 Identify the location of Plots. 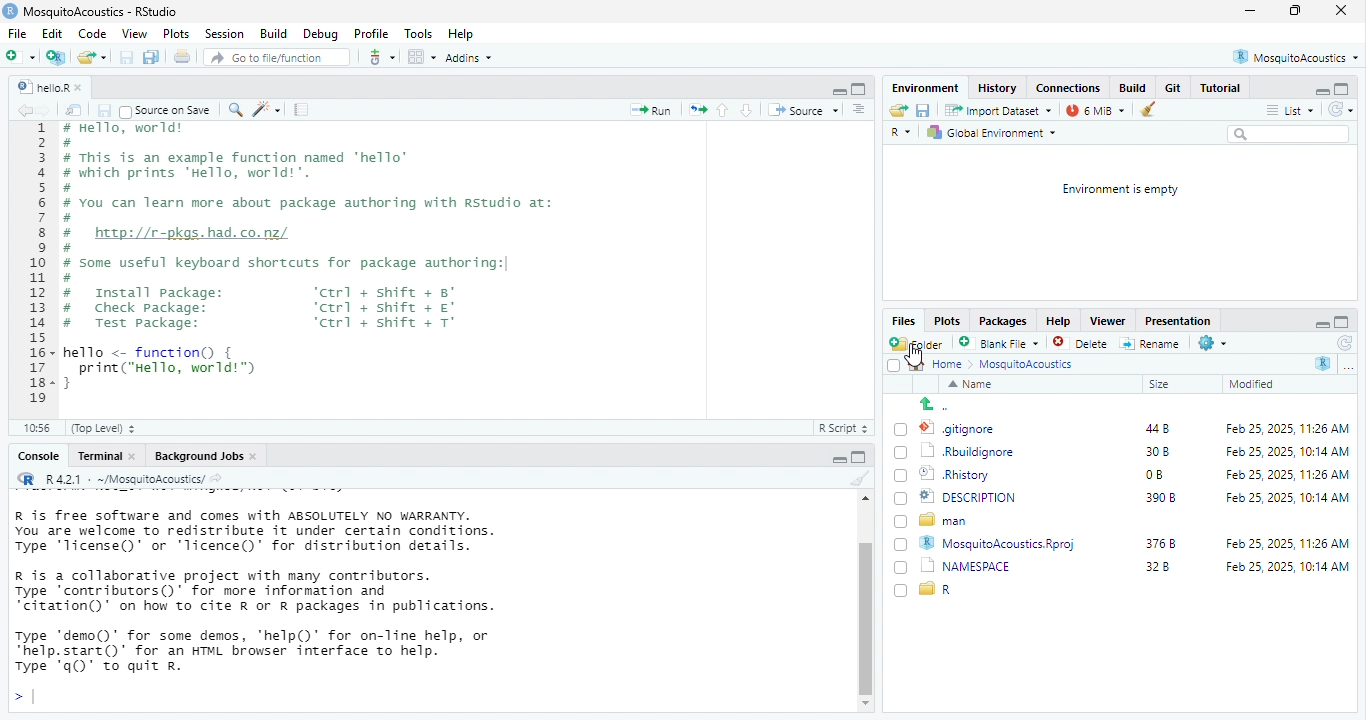
(175, 35).